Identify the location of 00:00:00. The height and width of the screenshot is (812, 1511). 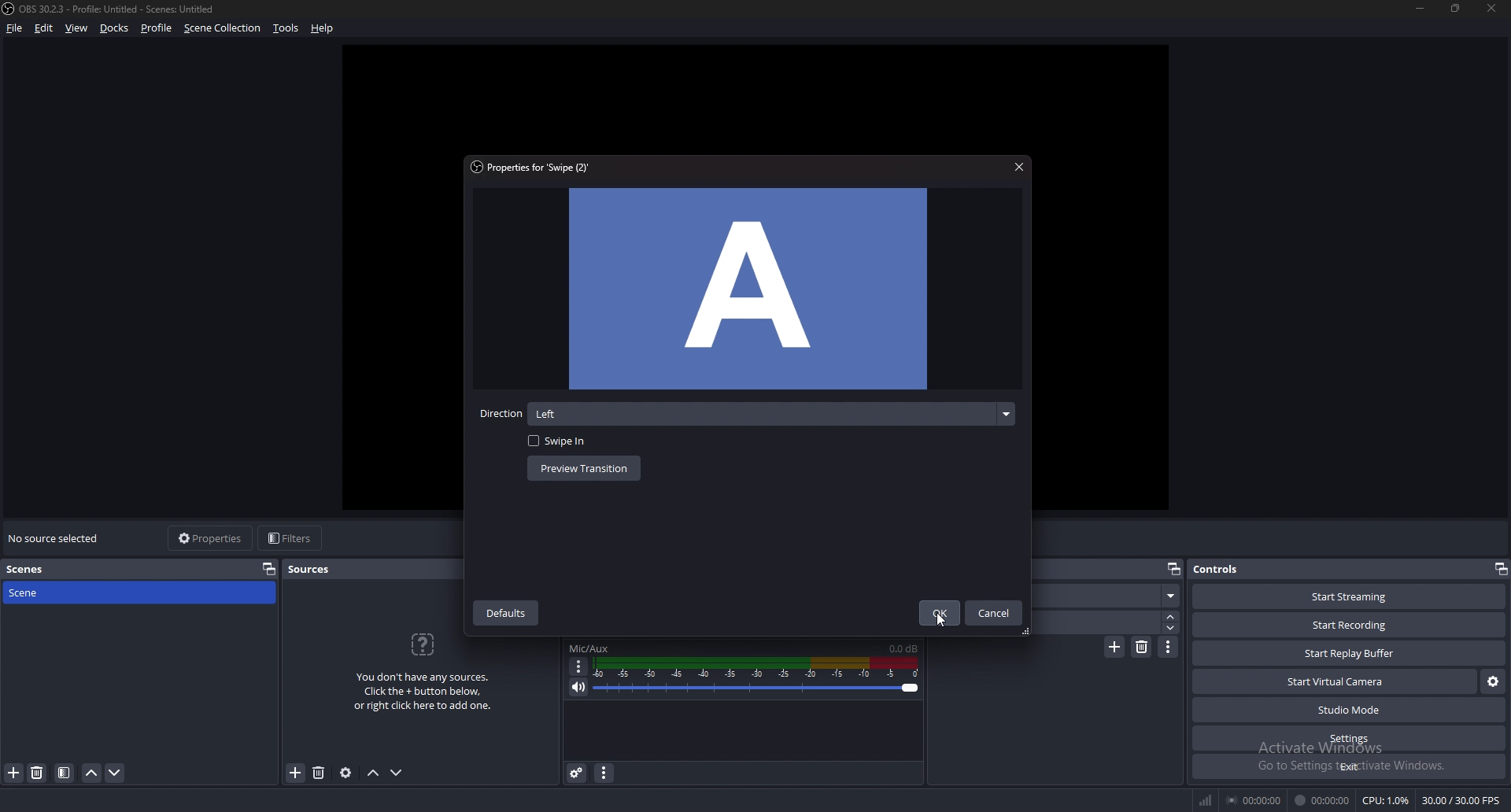
(1254, 801).